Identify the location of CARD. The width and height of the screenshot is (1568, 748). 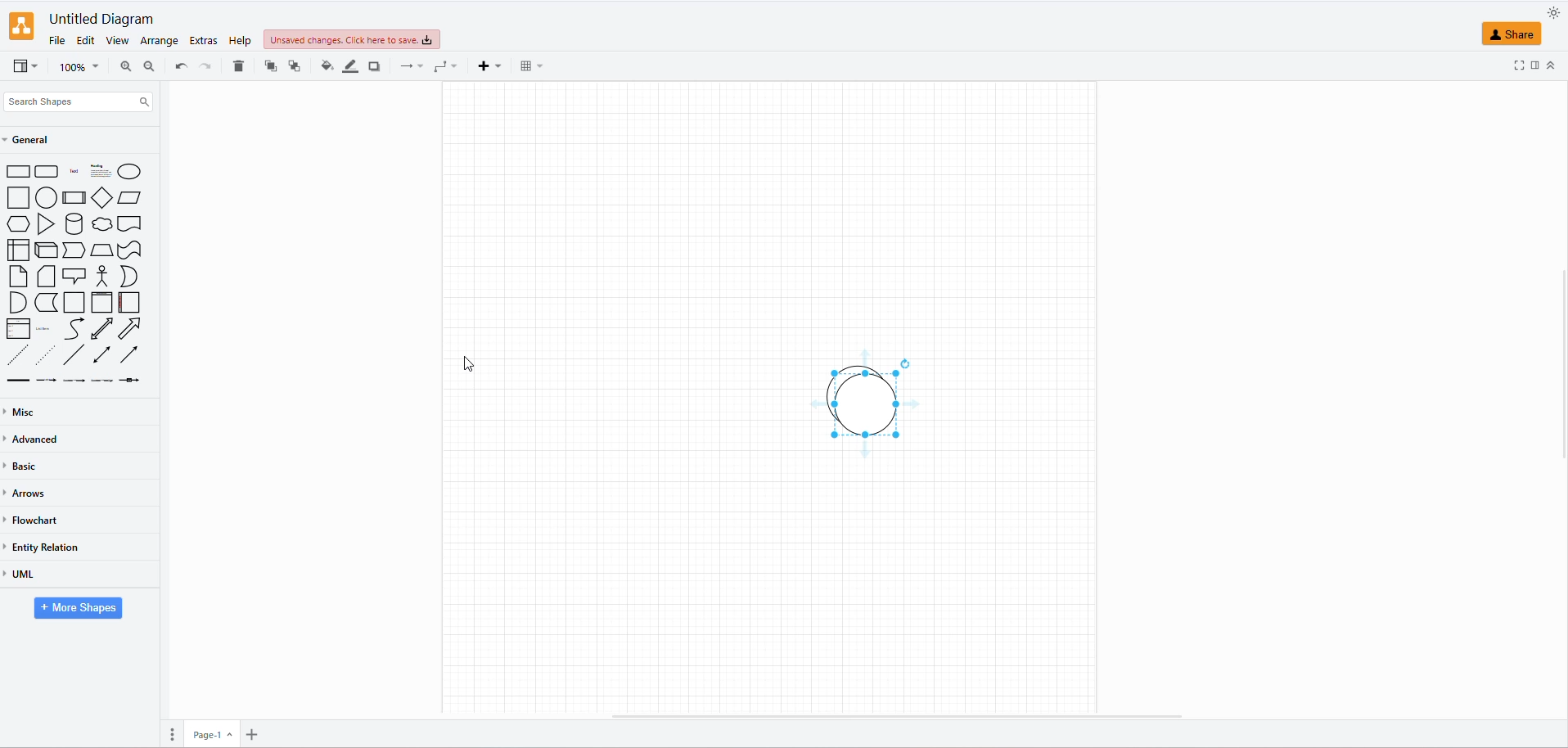
(44, 275).